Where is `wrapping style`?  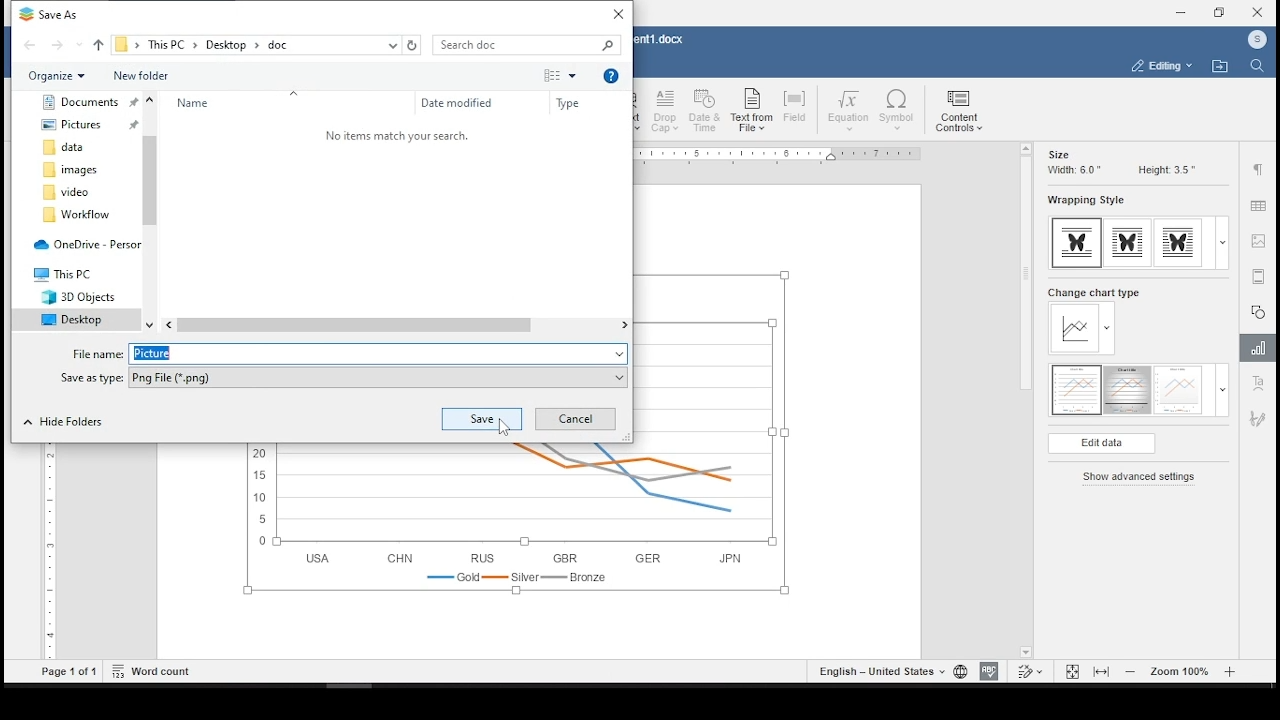
wrapping style is located at coordinates (1078, 243).